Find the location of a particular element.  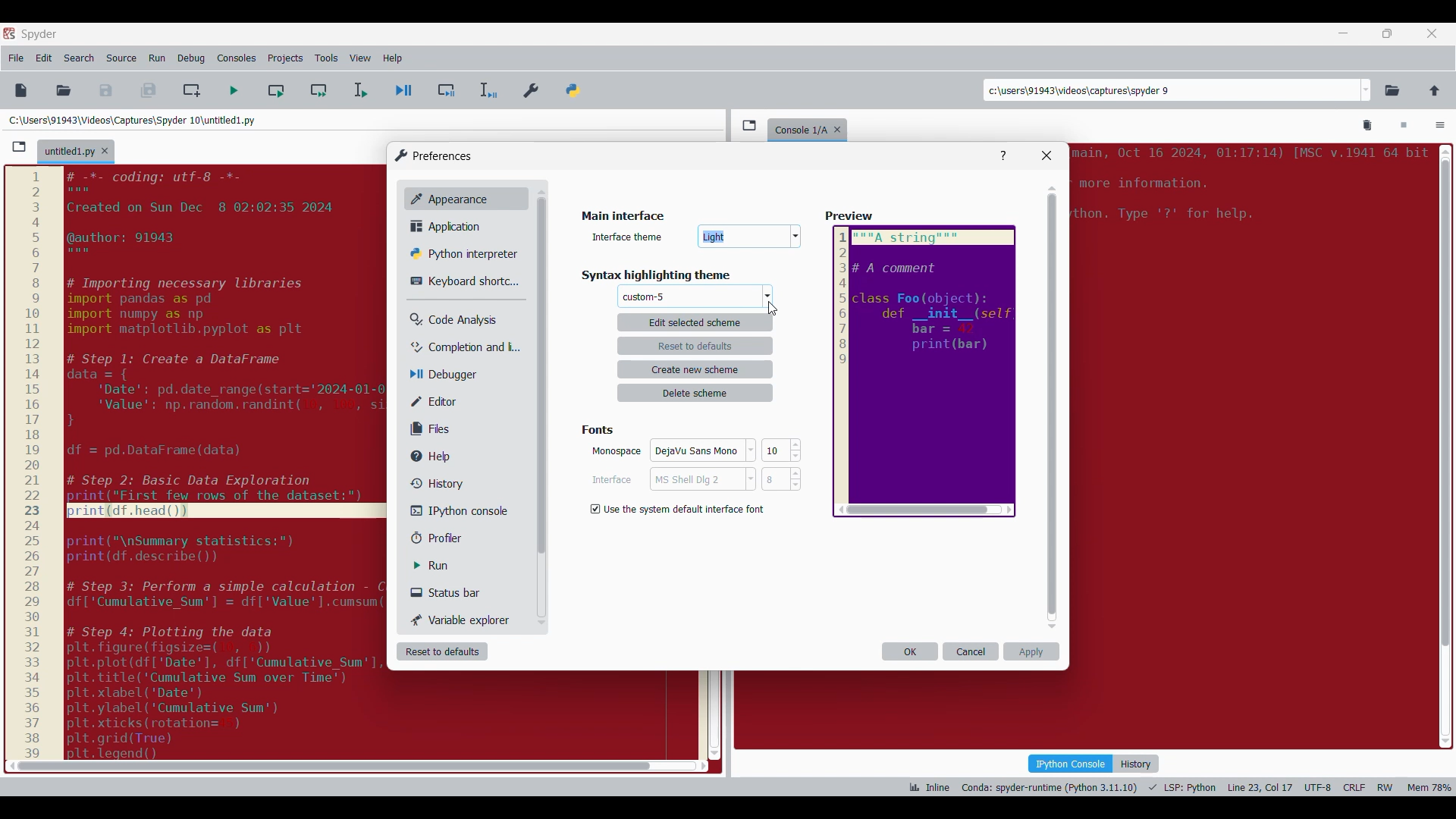

Save file is located at coordinates (107, 90).